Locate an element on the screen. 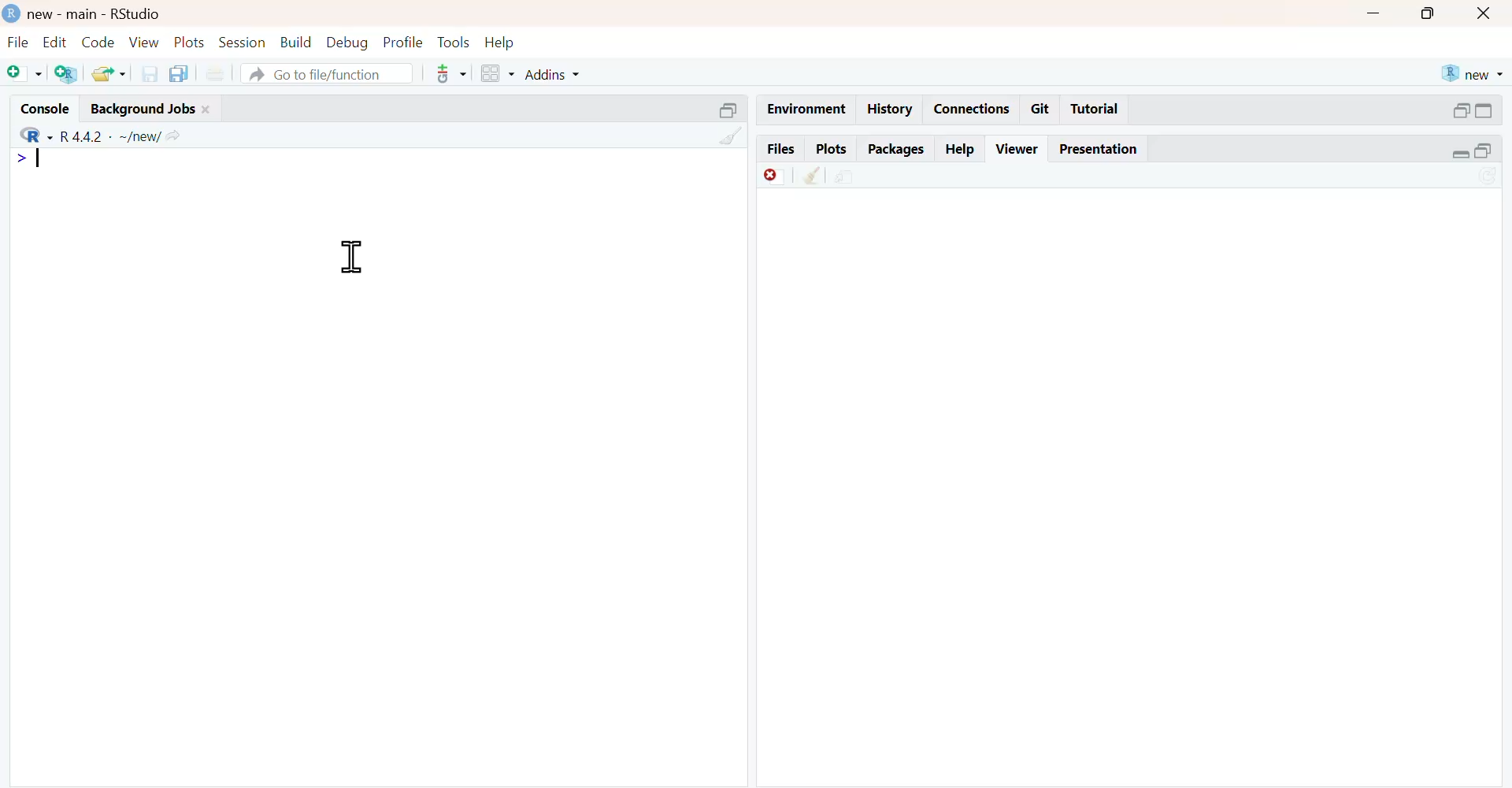 The width and height of the screenshot is (1512, 788). minimise is located at coordinates (1373, 13).